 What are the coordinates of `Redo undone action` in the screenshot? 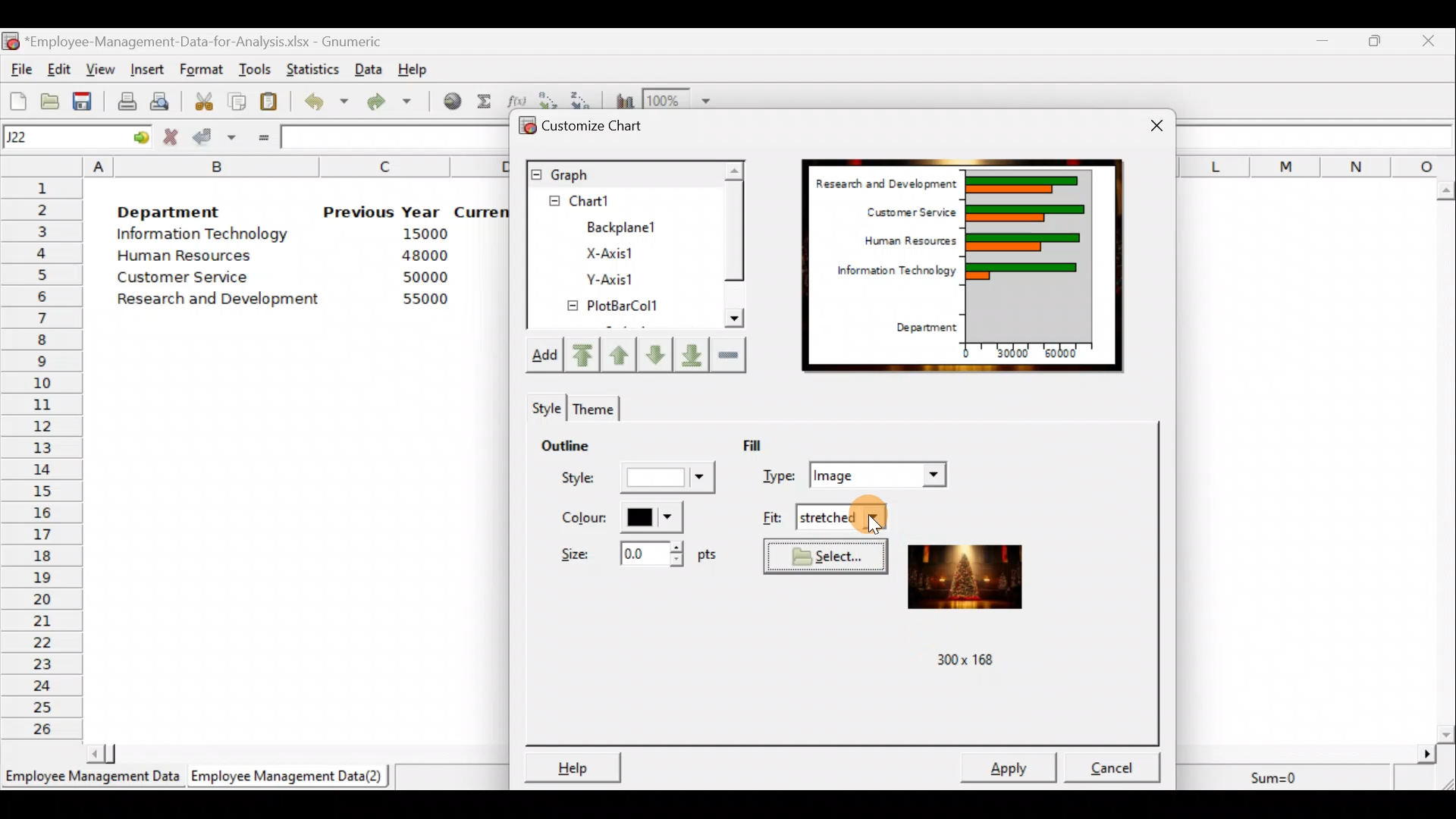 It's located at (397, 103).